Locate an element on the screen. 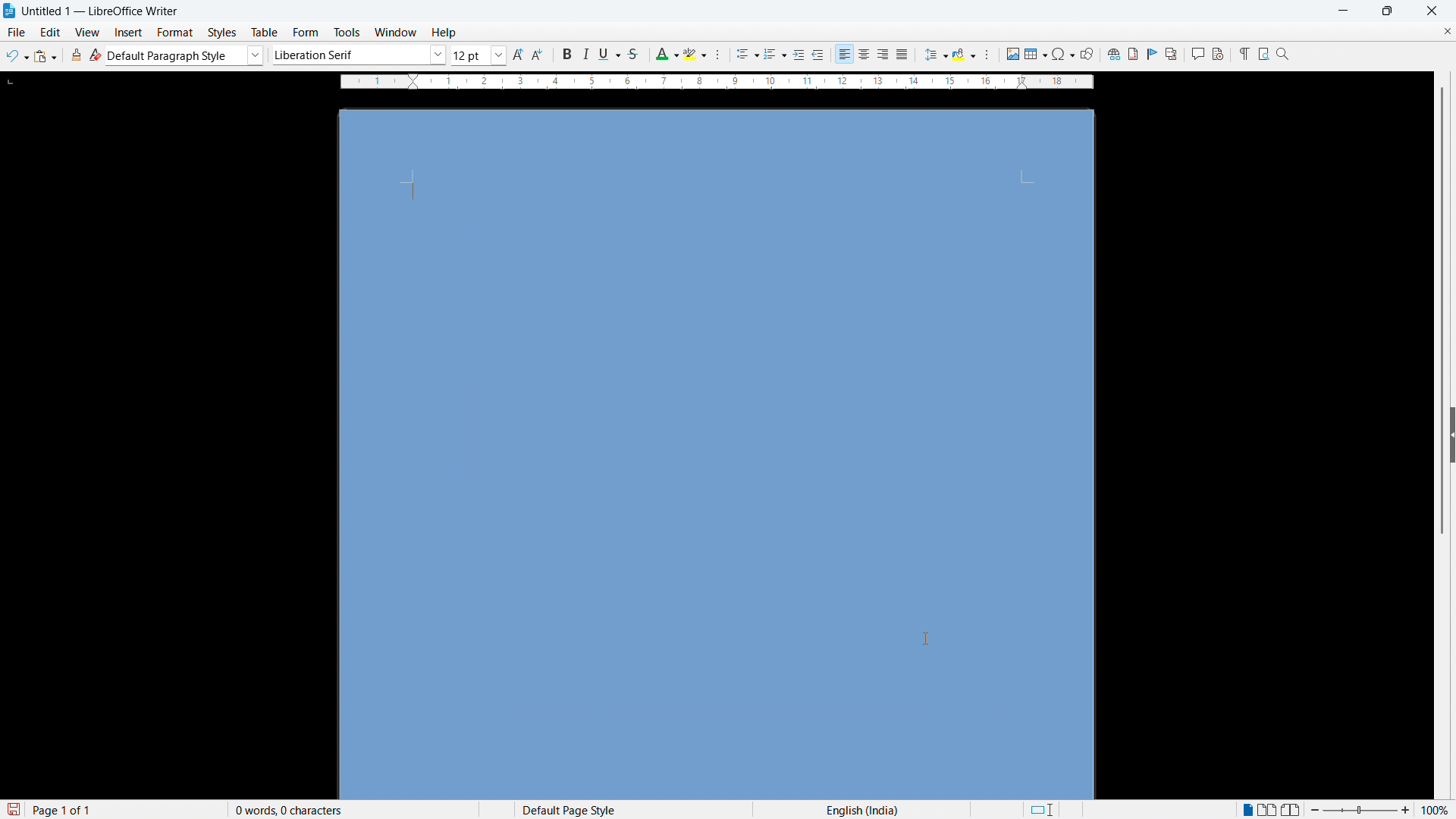 This screenshot has width=1456, height=819. Default page style  is located at coordinates (567, 809).